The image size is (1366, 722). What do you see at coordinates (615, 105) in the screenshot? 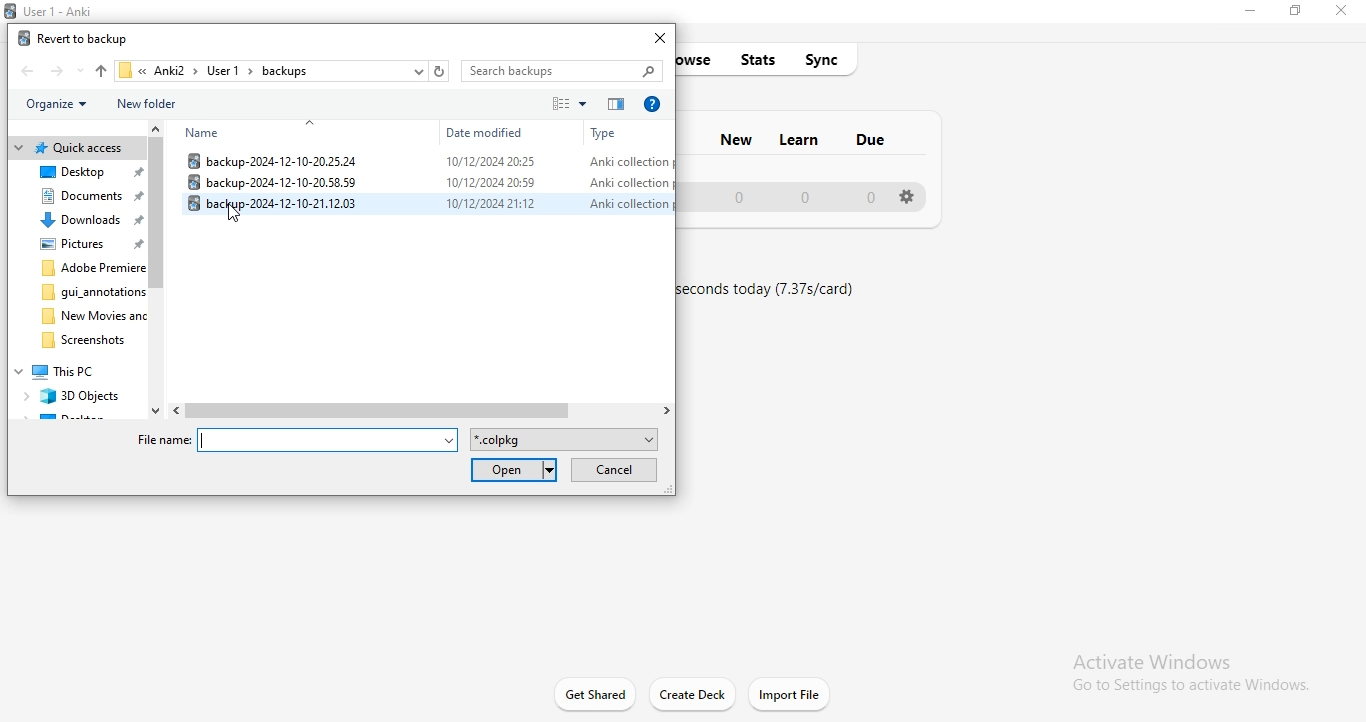
I see `order` at bounding box center [615, 105].